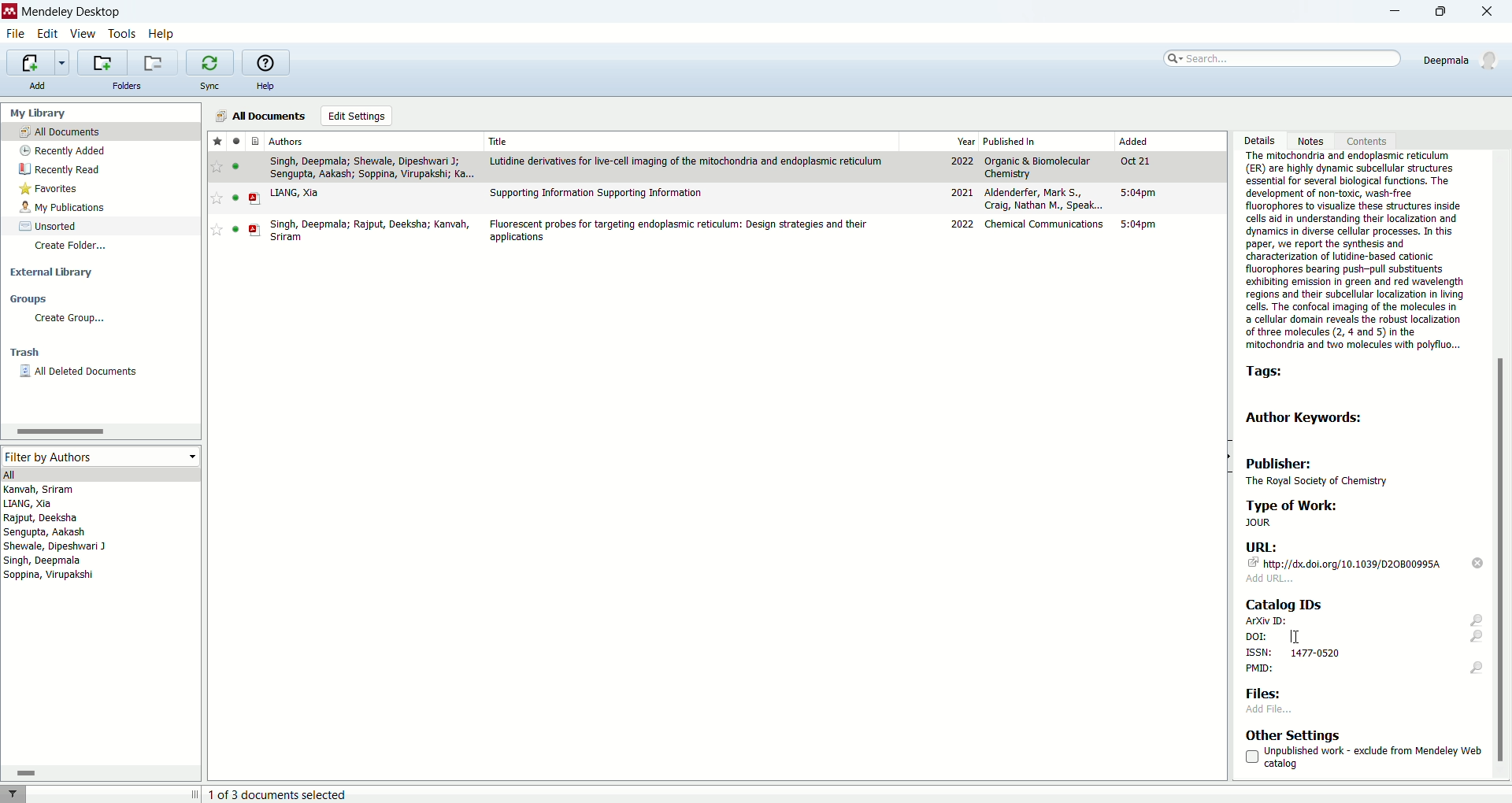 The height and width of the screenshot is (803, 1512). What do you see at coordinates (36, 113) in the screenshot?
I see `my library` at bounding box center [36, 113].